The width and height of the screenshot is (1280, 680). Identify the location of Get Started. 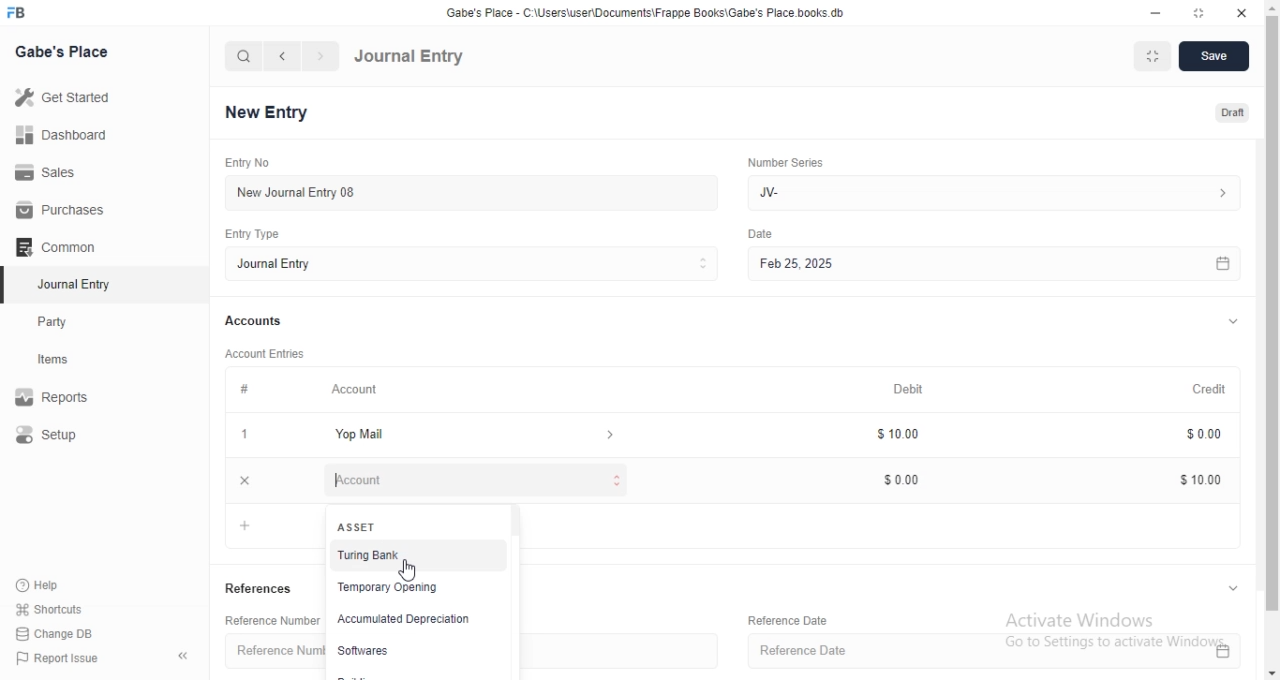
(68, 101).